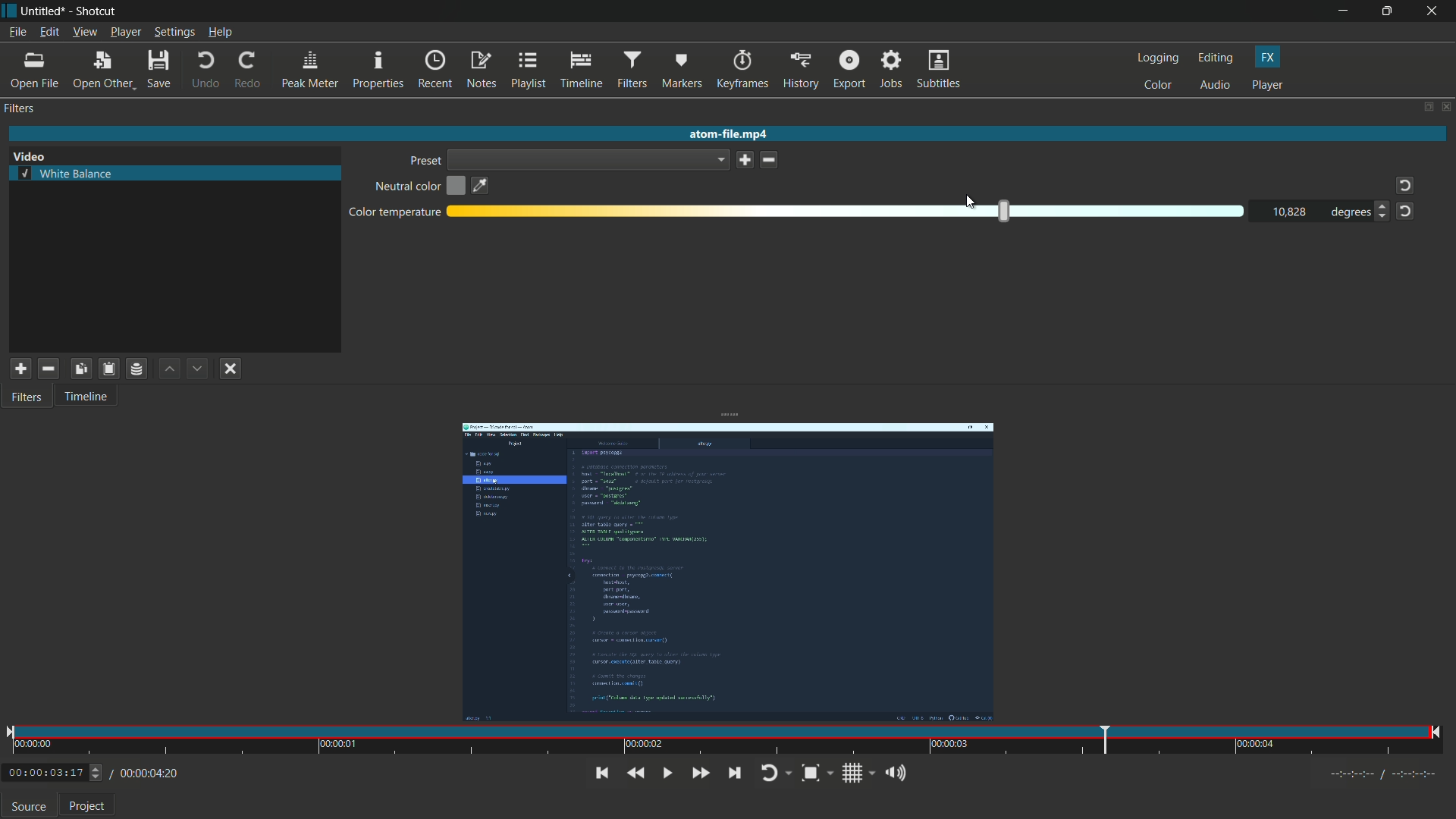  What do you see at coordinates (88, 396) in the screenshot?
I see `timeline tab` at bounding box center [88, 396].